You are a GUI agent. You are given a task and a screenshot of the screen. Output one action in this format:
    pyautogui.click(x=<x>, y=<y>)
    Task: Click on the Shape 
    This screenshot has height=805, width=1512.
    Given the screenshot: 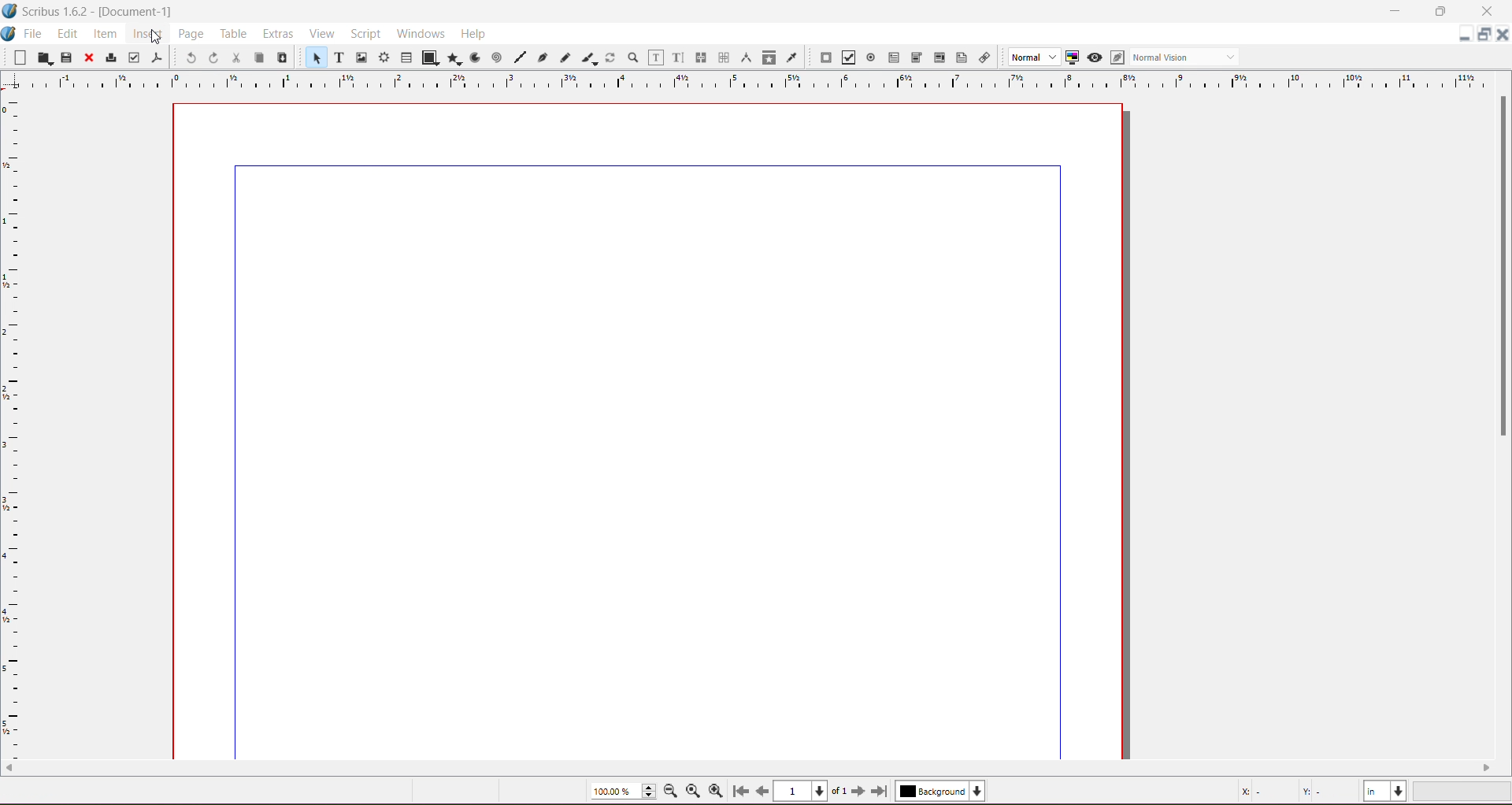 What is the action you would take?
    pyautogui.click(x=429, y=58)
    